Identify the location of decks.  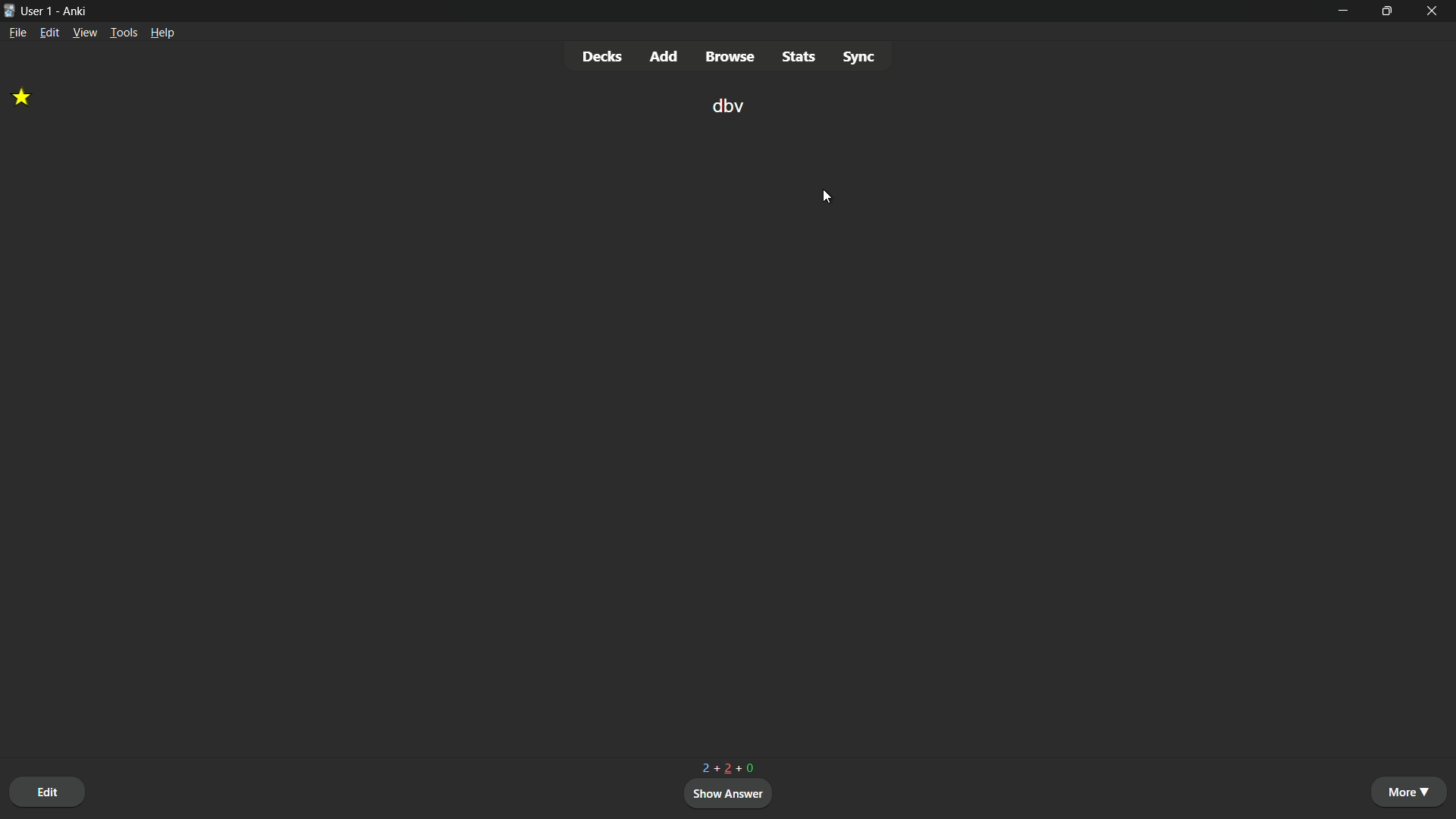
(604, 55).